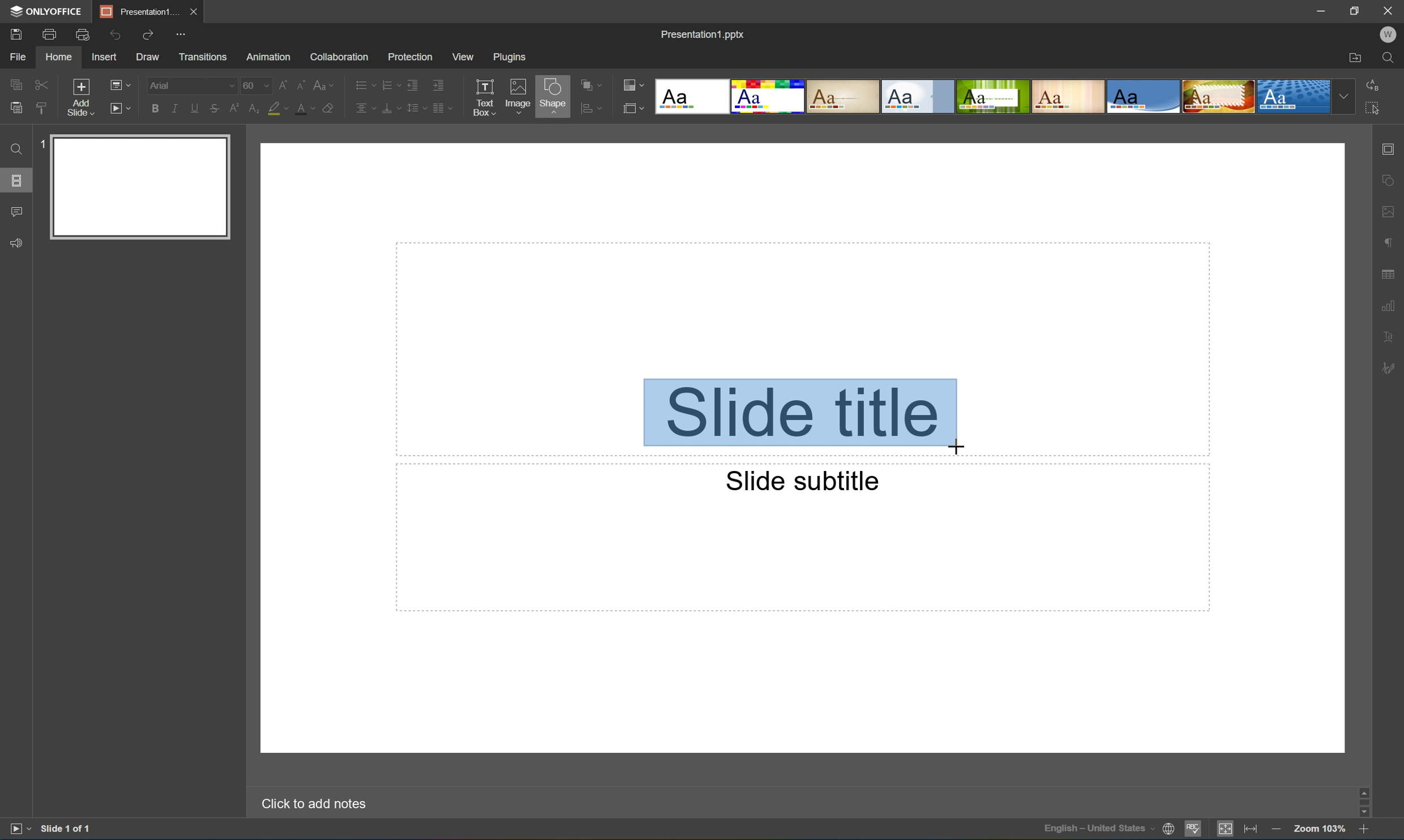  Describe the element at coordinates (1389, 242) in the screenshot. I see `paragraph settings` at that location.